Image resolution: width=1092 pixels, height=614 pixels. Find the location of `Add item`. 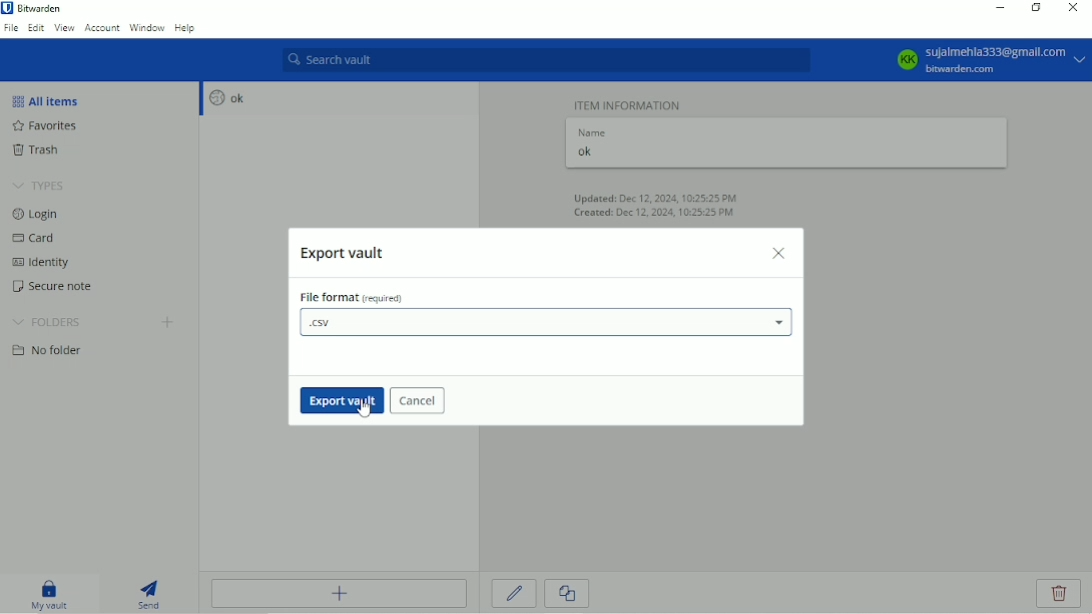

Add item is located at coordinates (339, 593).